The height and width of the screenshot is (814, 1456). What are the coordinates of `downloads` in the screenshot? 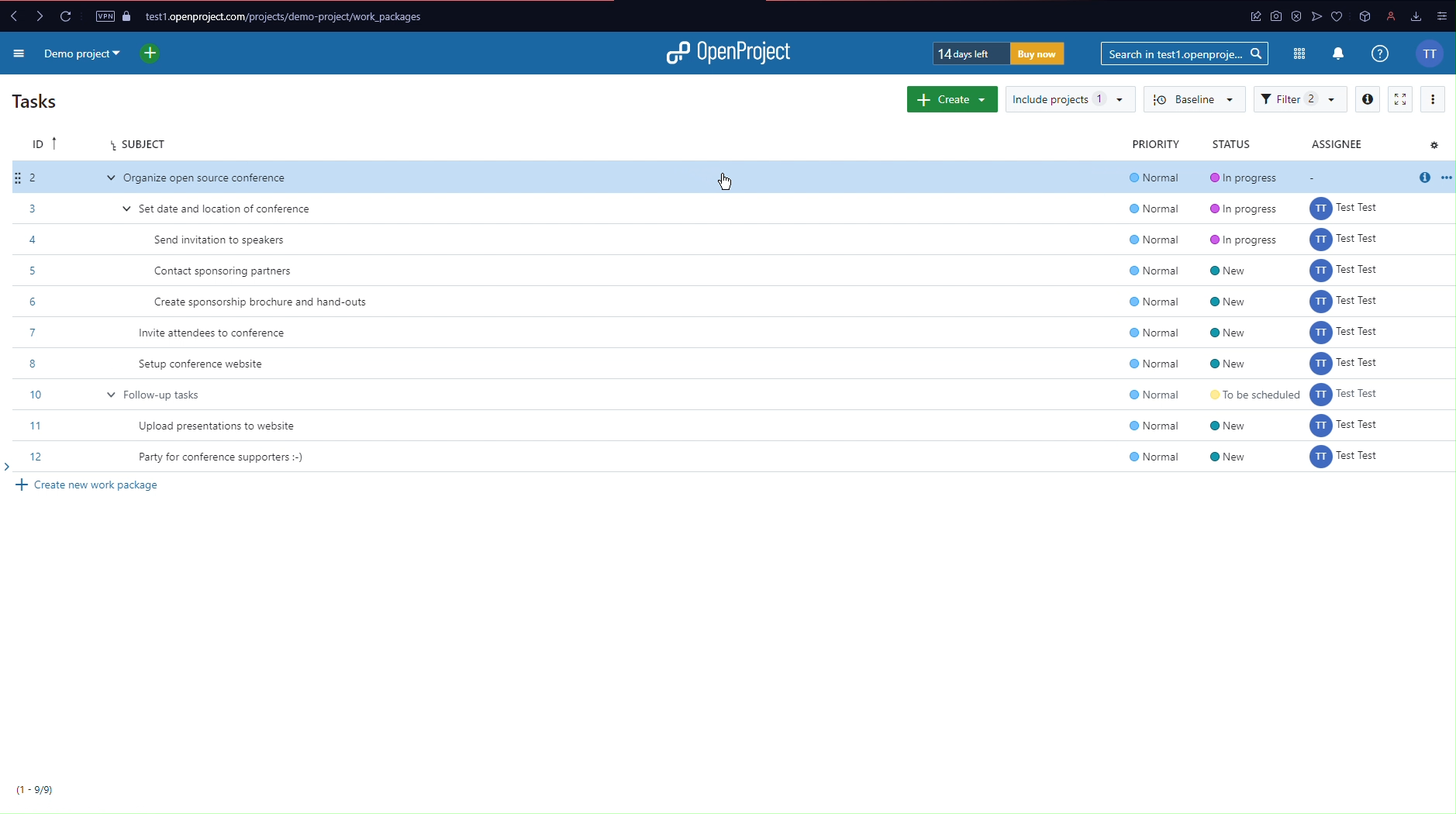 It's located at (1413, 16).